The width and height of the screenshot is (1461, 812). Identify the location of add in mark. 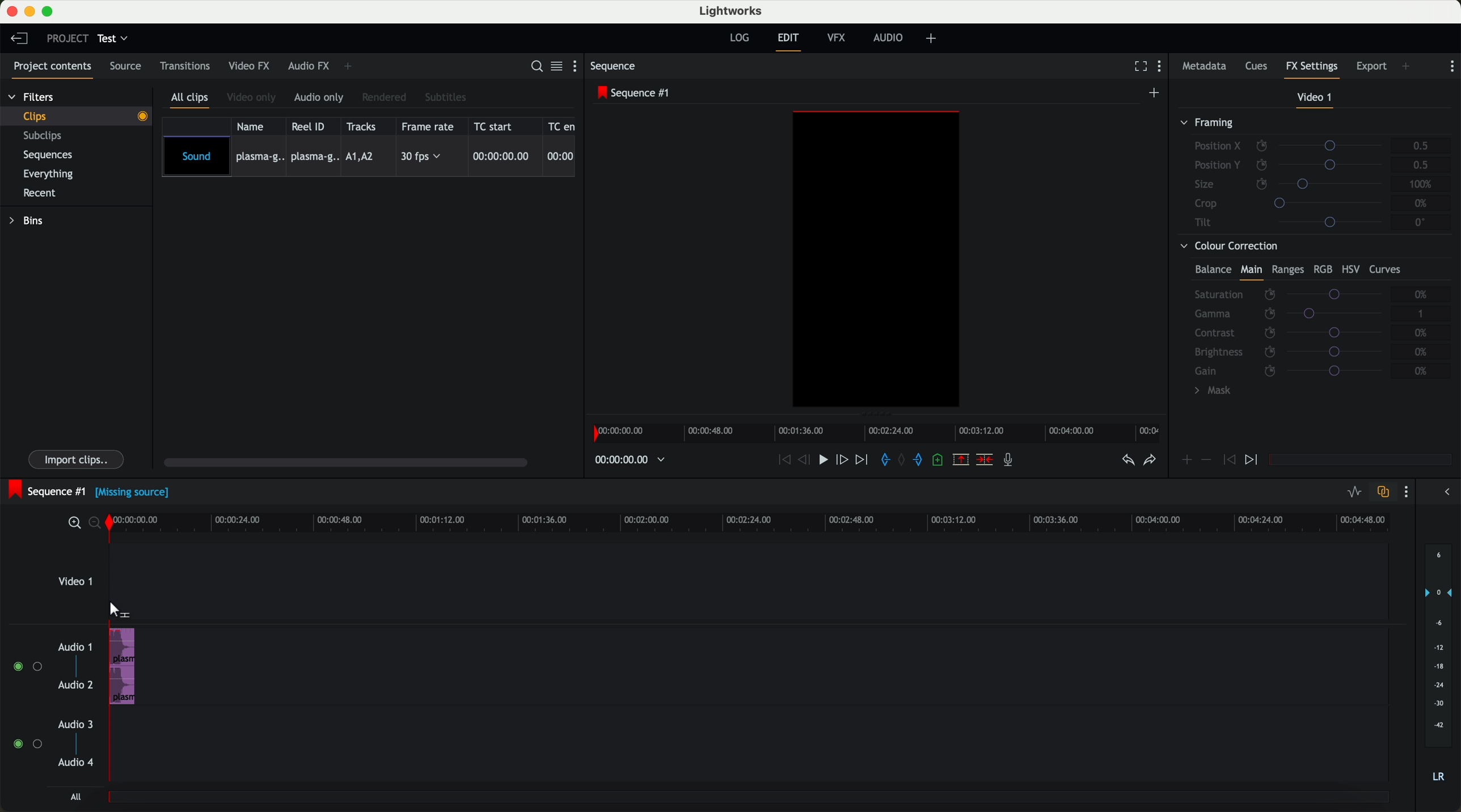
(886, 460).